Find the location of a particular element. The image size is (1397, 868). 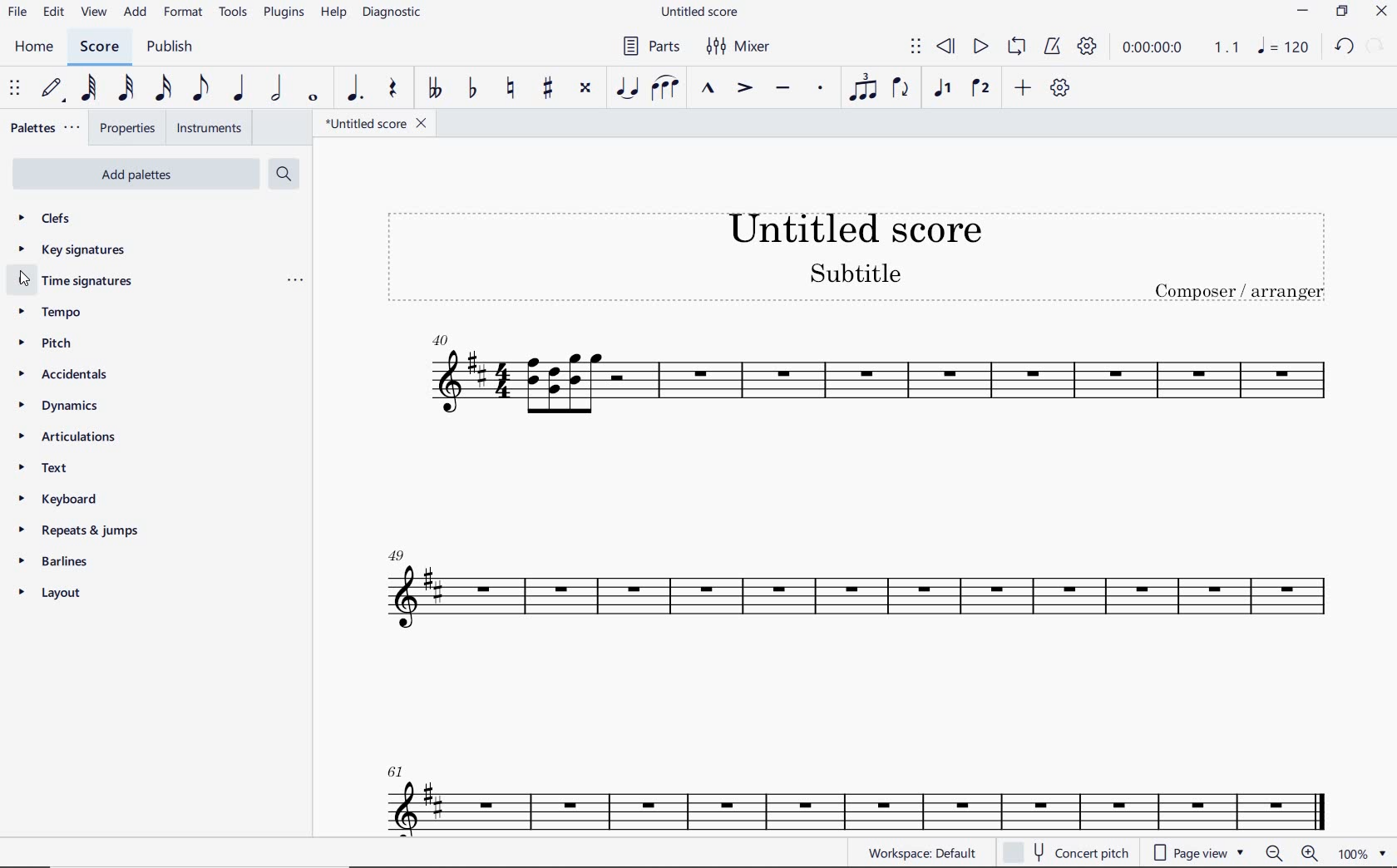

TITLE is located at coordinates (853, 248).